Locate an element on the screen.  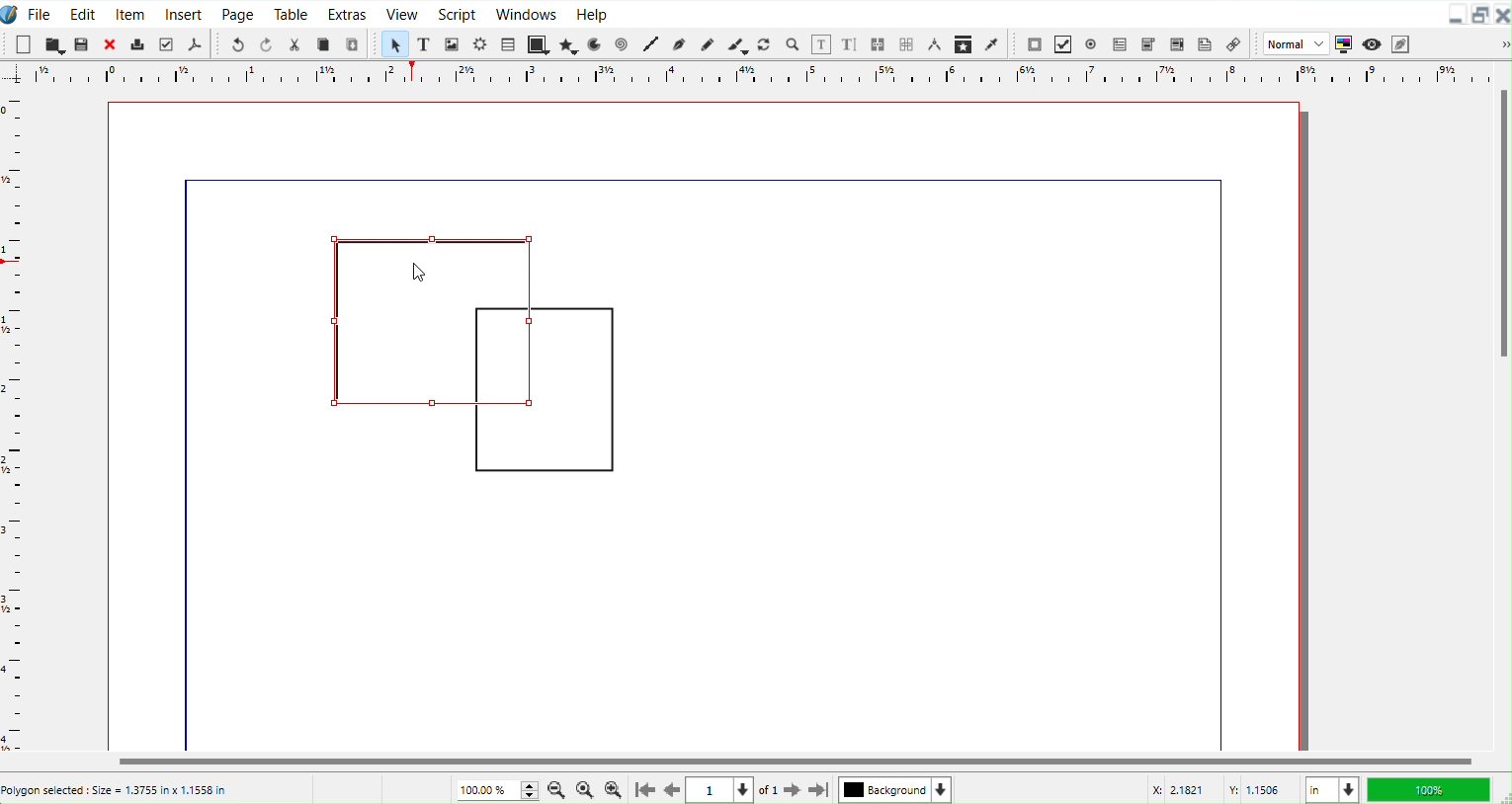
Bezier curve is located at coordinates (680, 45).